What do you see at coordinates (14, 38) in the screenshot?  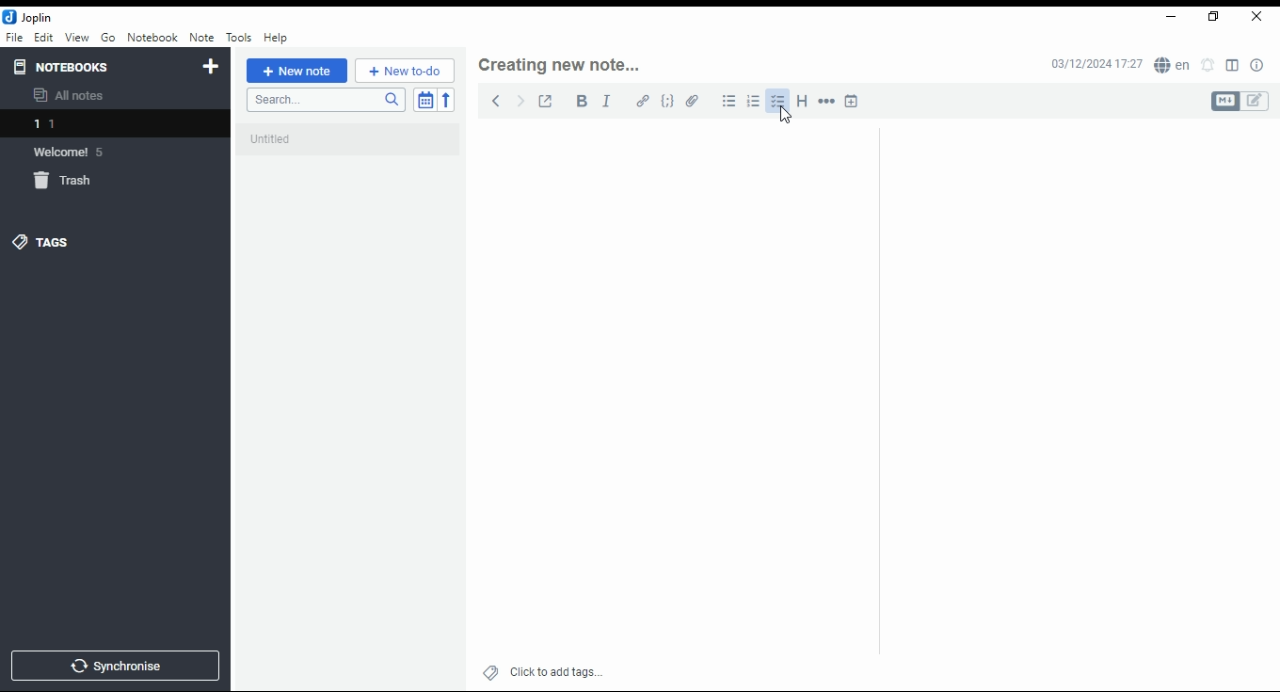 I see `file` at bounding box center [14, 38].